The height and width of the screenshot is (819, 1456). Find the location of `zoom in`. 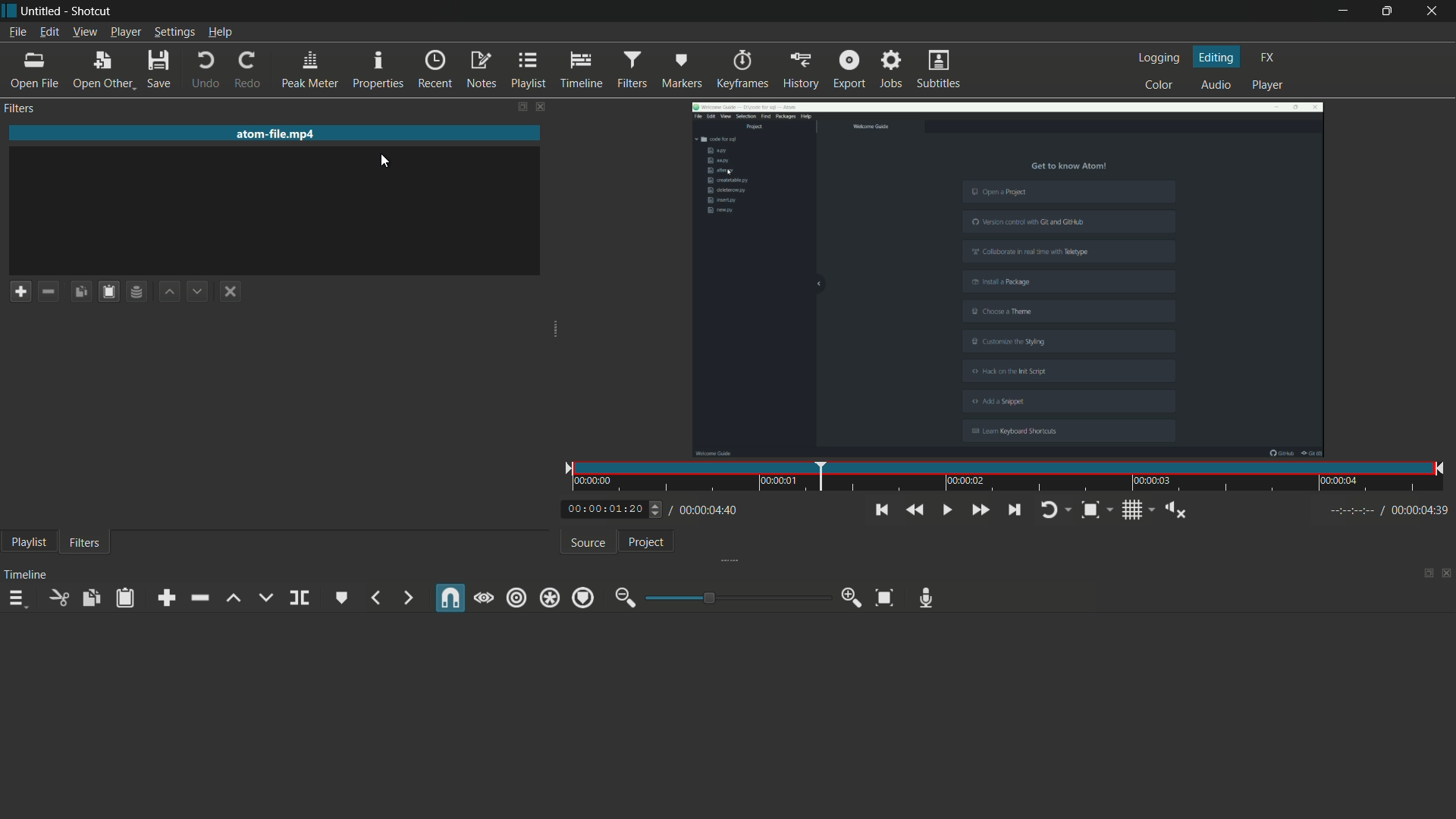

zoom in is located at coordinates (853, 598).